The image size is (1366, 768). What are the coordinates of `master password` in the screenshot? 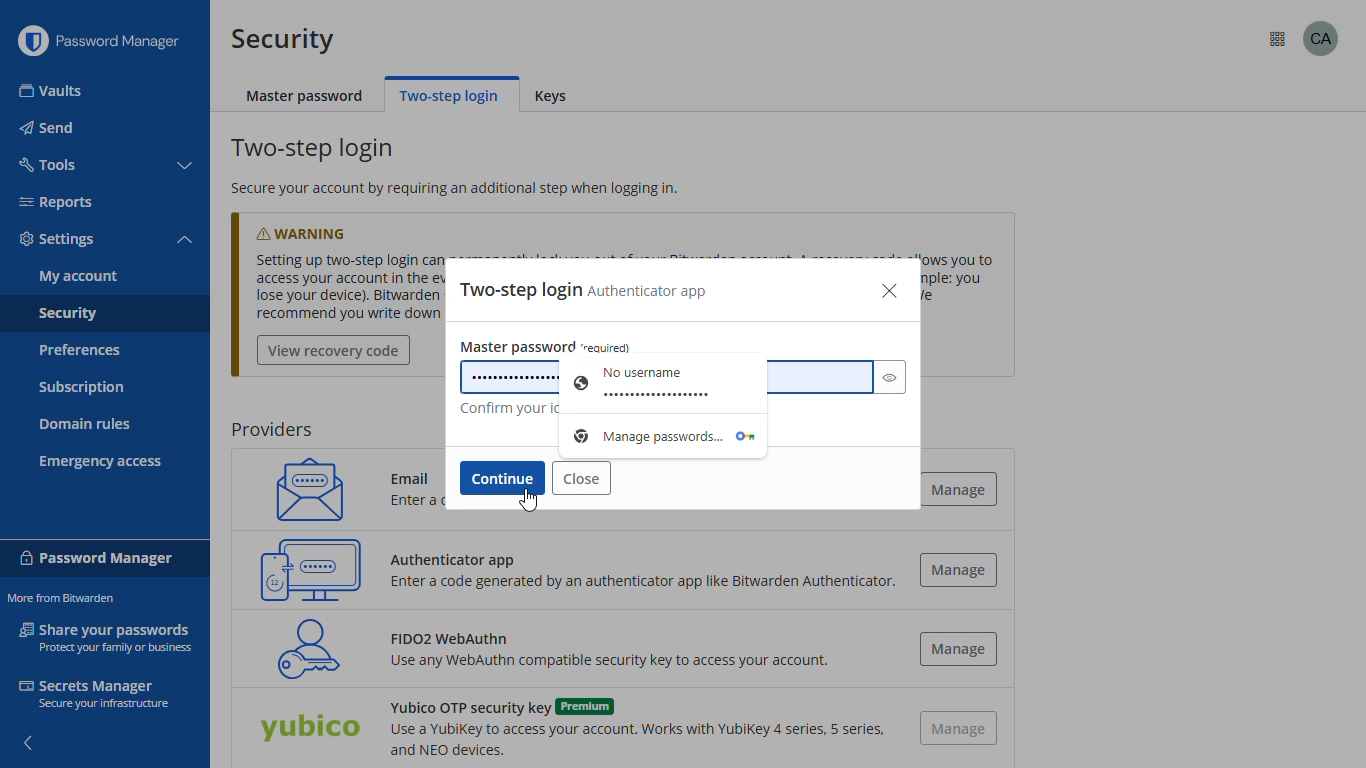 It's located at (306, 97).